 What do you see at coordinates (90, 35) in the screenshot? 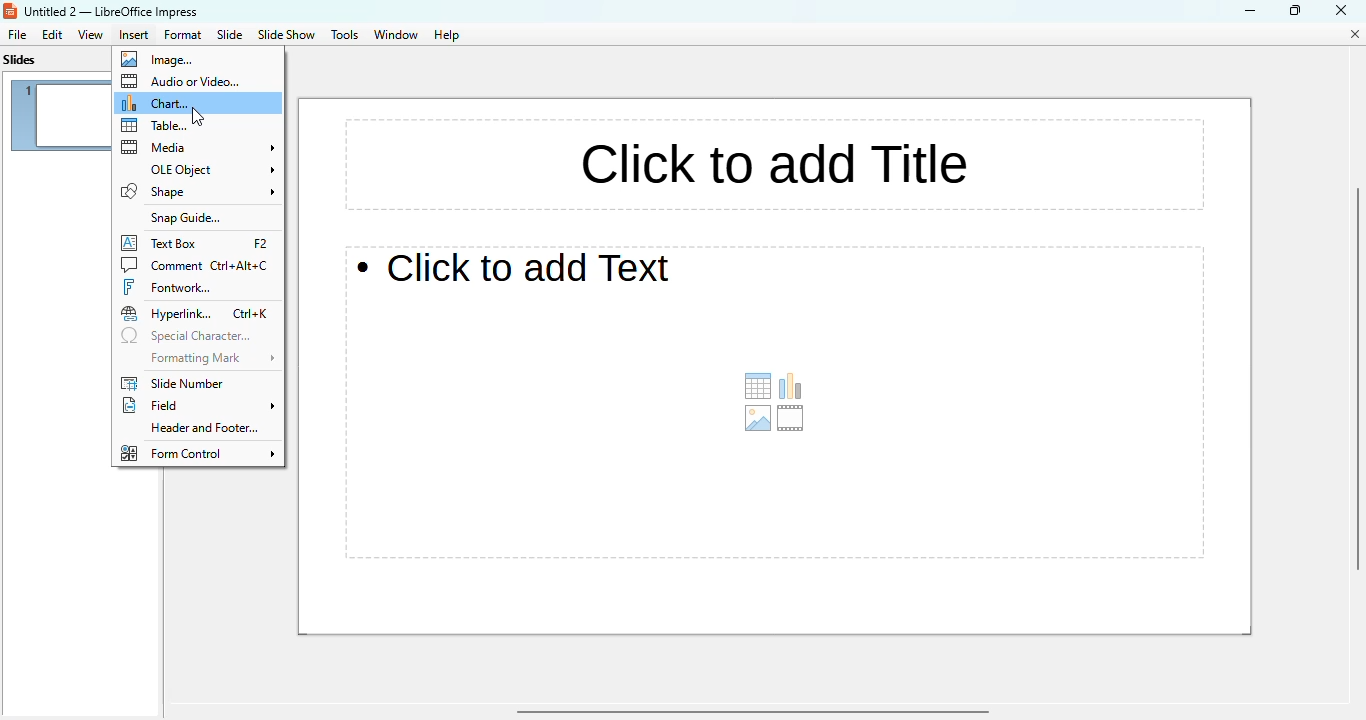
I see `view` at bounding box center [90, 35].